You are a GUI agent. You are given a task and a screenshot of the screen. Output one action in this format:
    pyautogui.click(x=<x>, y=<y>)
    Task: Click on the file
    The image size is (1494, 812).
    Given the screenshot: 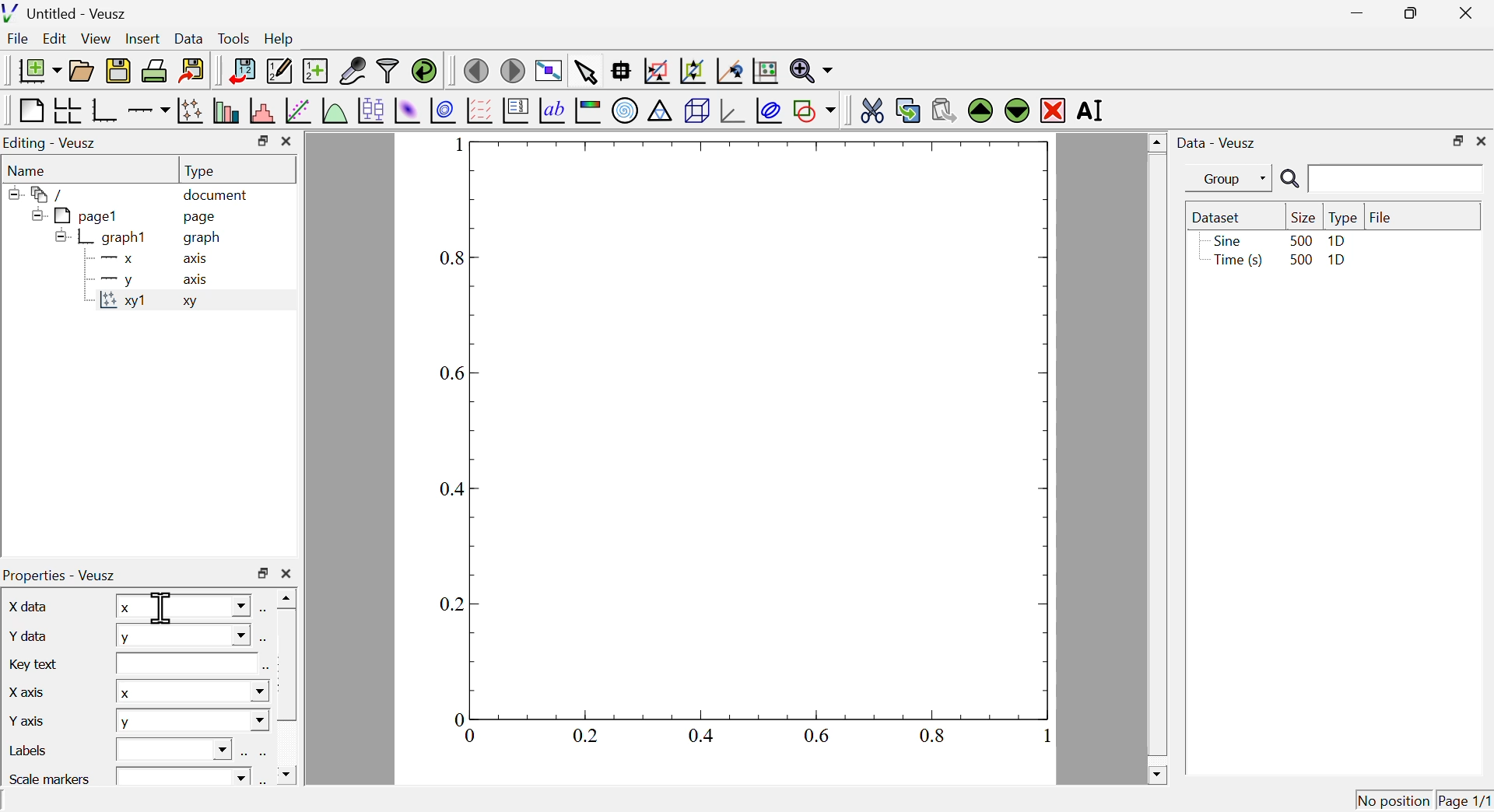 What is the action you would take?
    pyautogui.click(x=19, y=40)
    